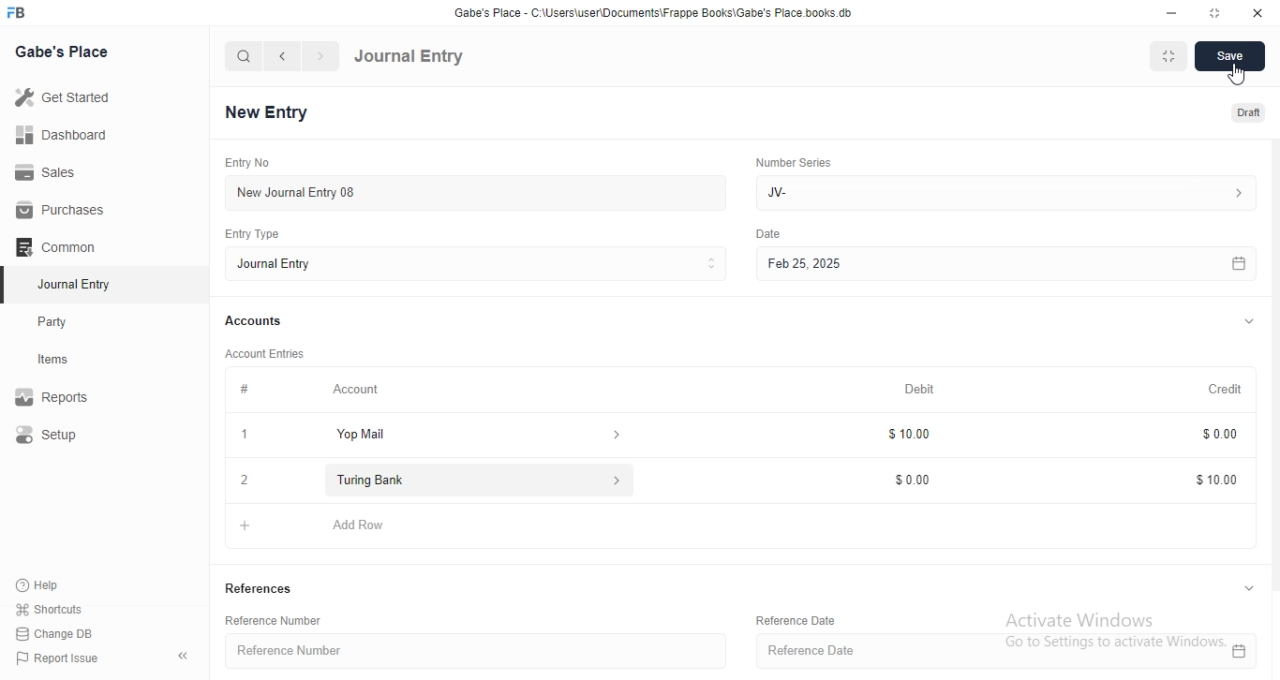  Describe the element at coordinates (71, 284) in the screenshot. I see `Journal Entry` at that location.